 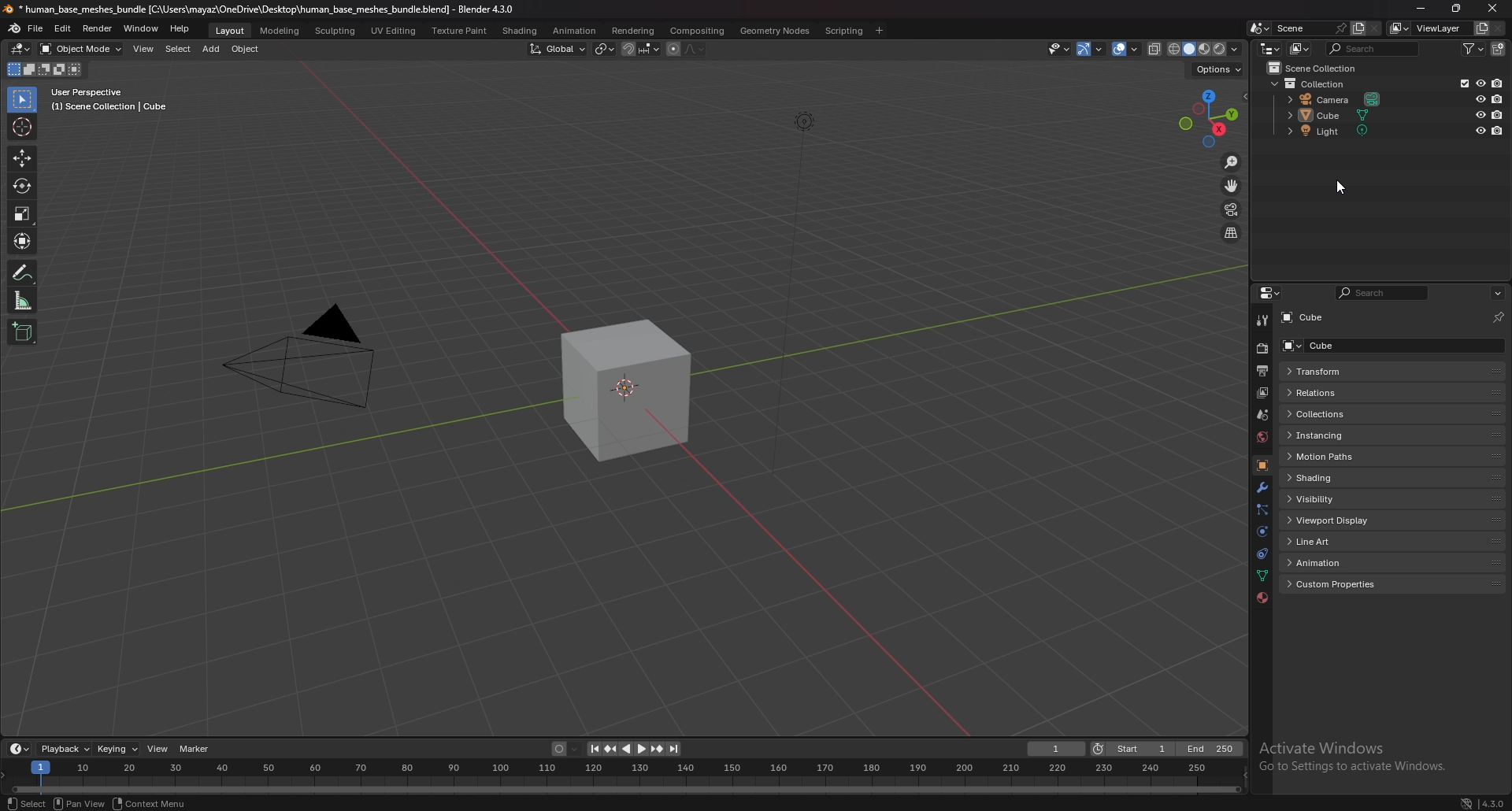 I want to click on transform, so click(x=24, y=239).